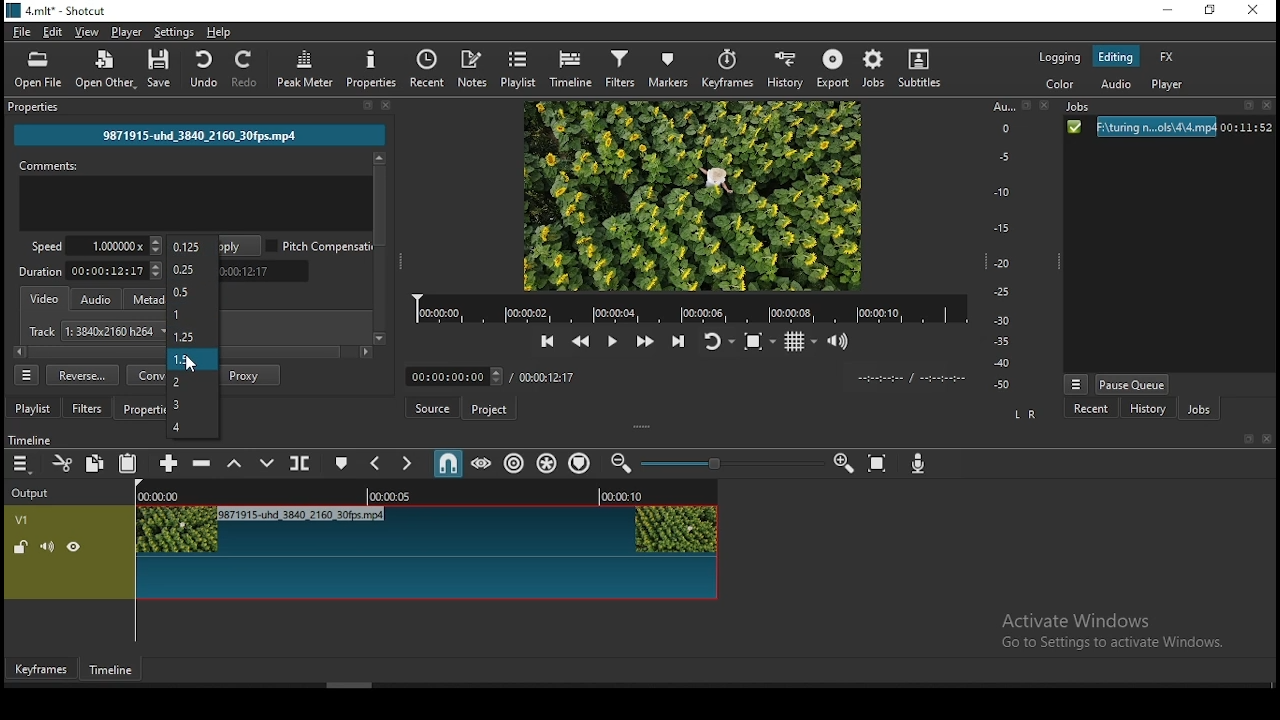 The width and height of the screenshot is (1280, 720). Describe the element at coordinates (579, 462) in the screenshot. I see `ripple markers` at that location.